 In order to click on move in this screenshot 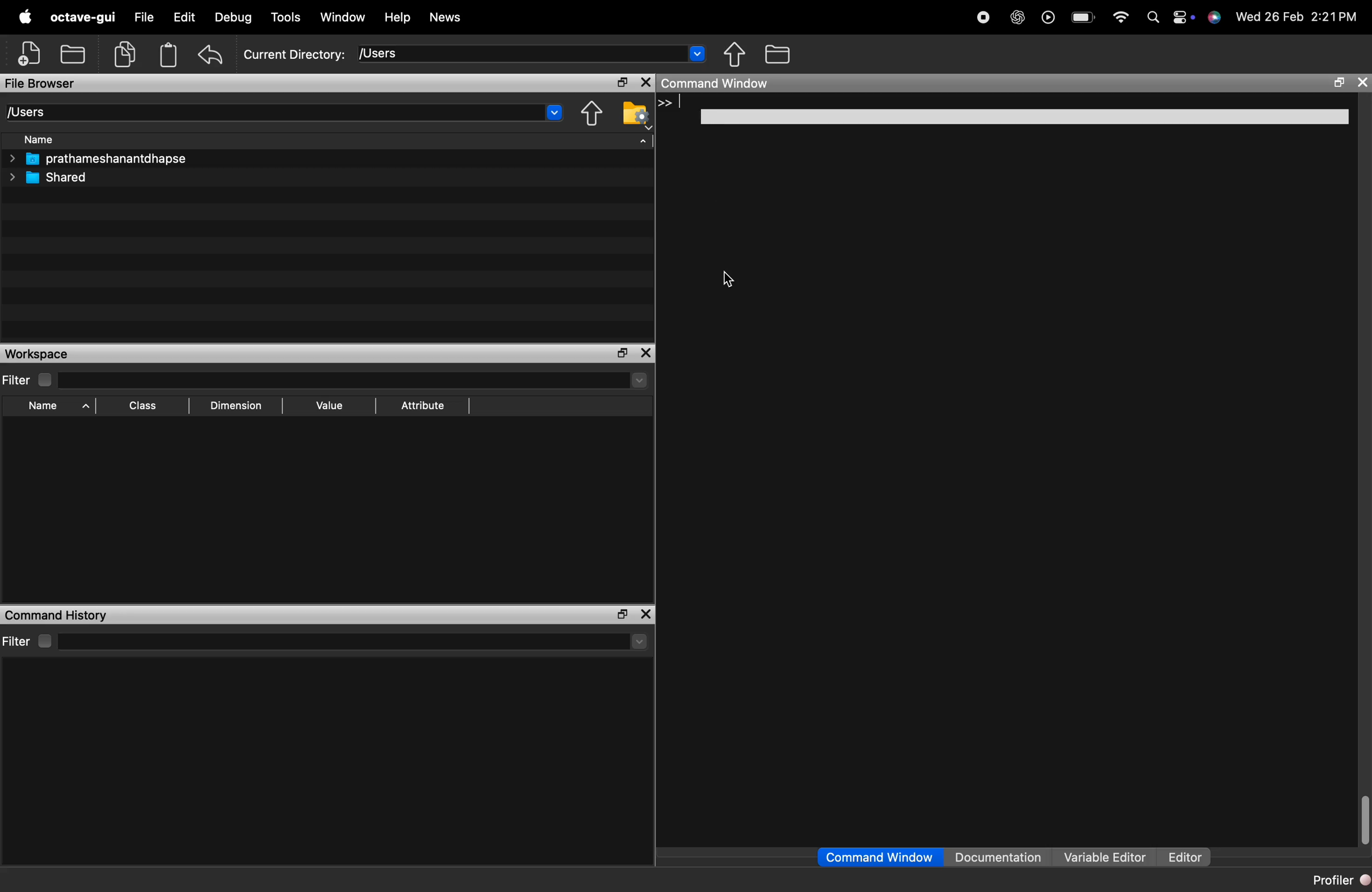, I will do `click(735, 54)`.